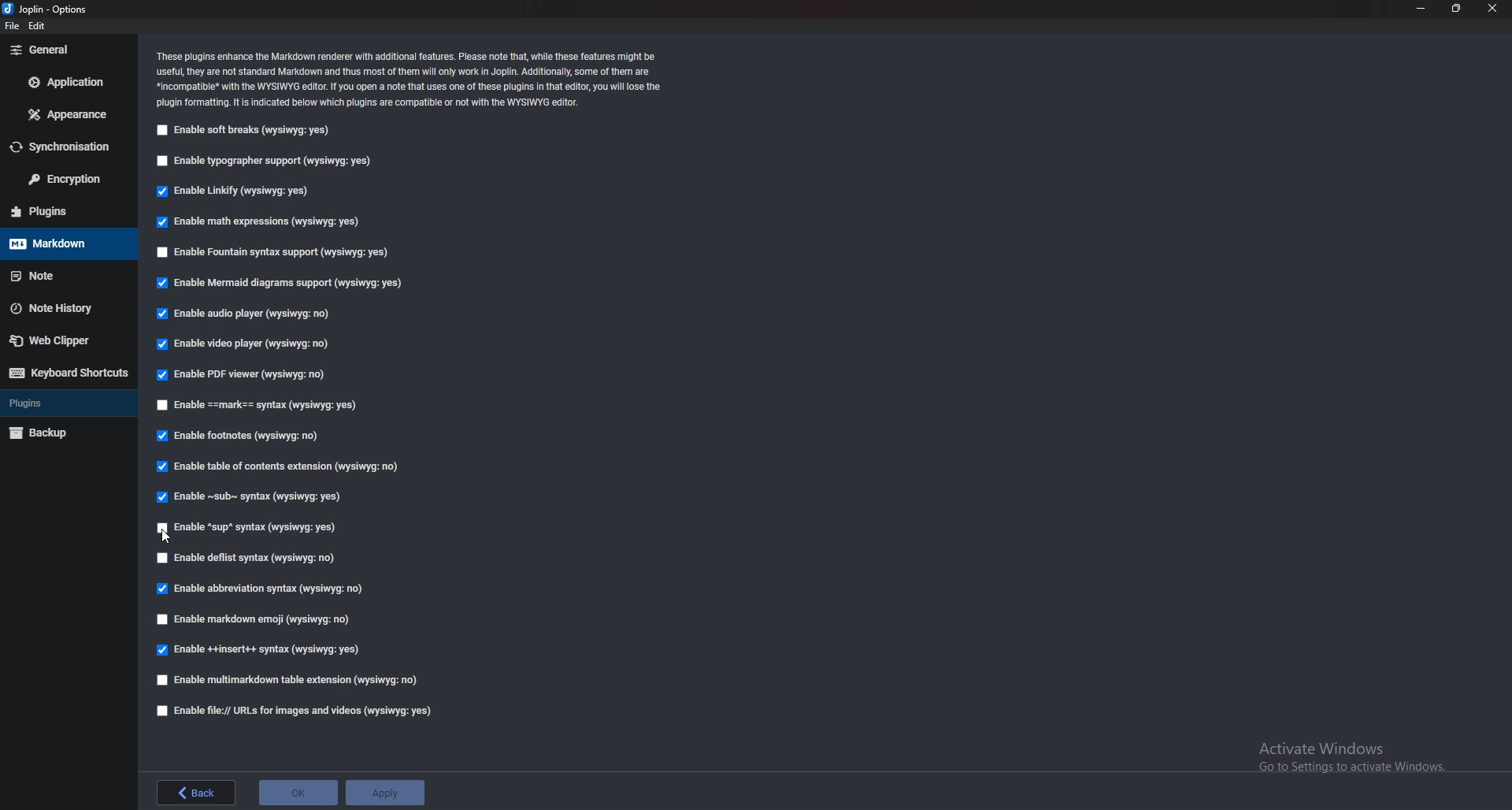 The width and height of the screenshot is (1512, 810). What do you see at coordinates (1492, 9) in the screenshot?
I see `close` at bounding box center [1492, 9].